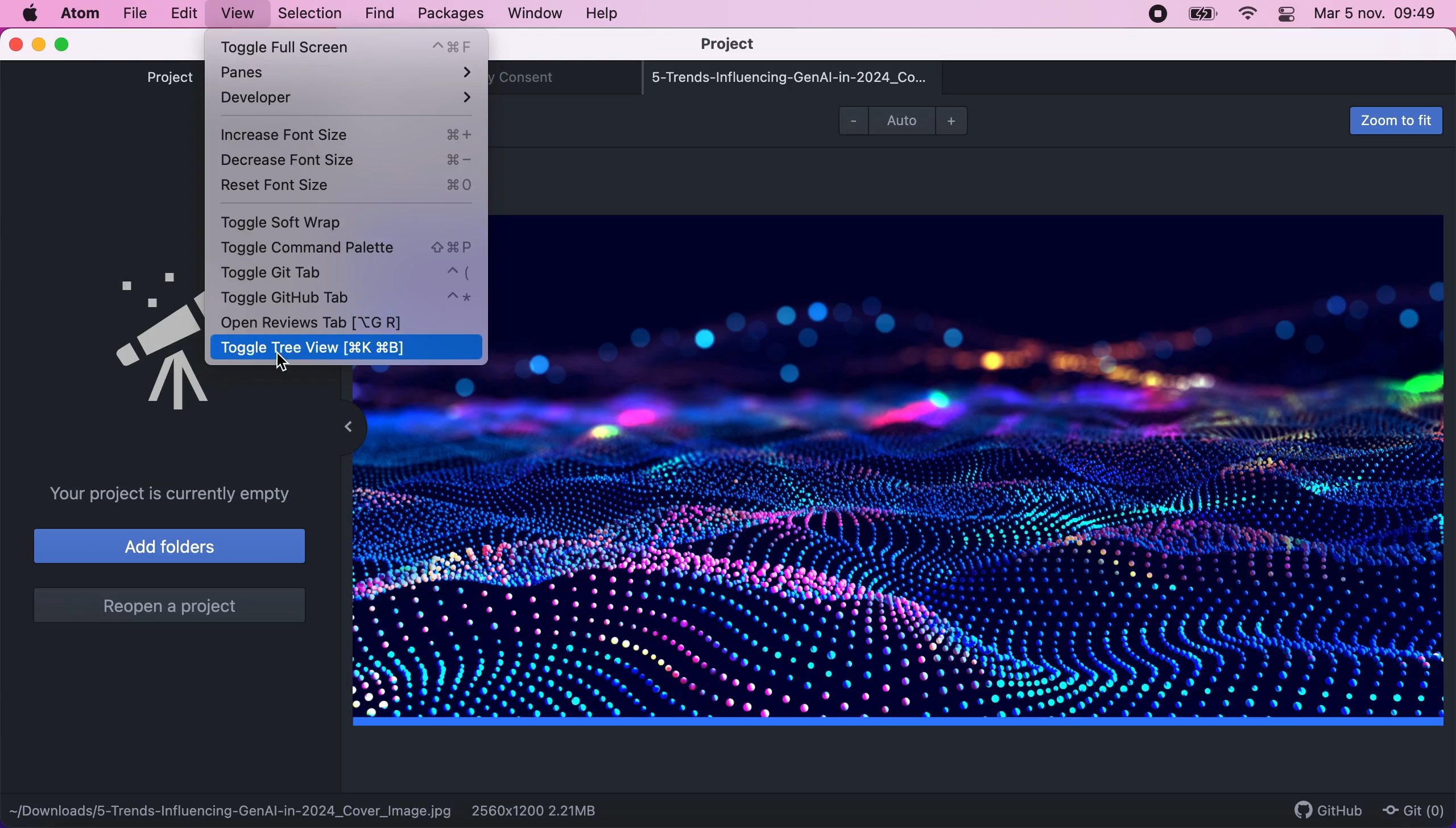  I want to click on your project is currently empty, so click(166, 492).